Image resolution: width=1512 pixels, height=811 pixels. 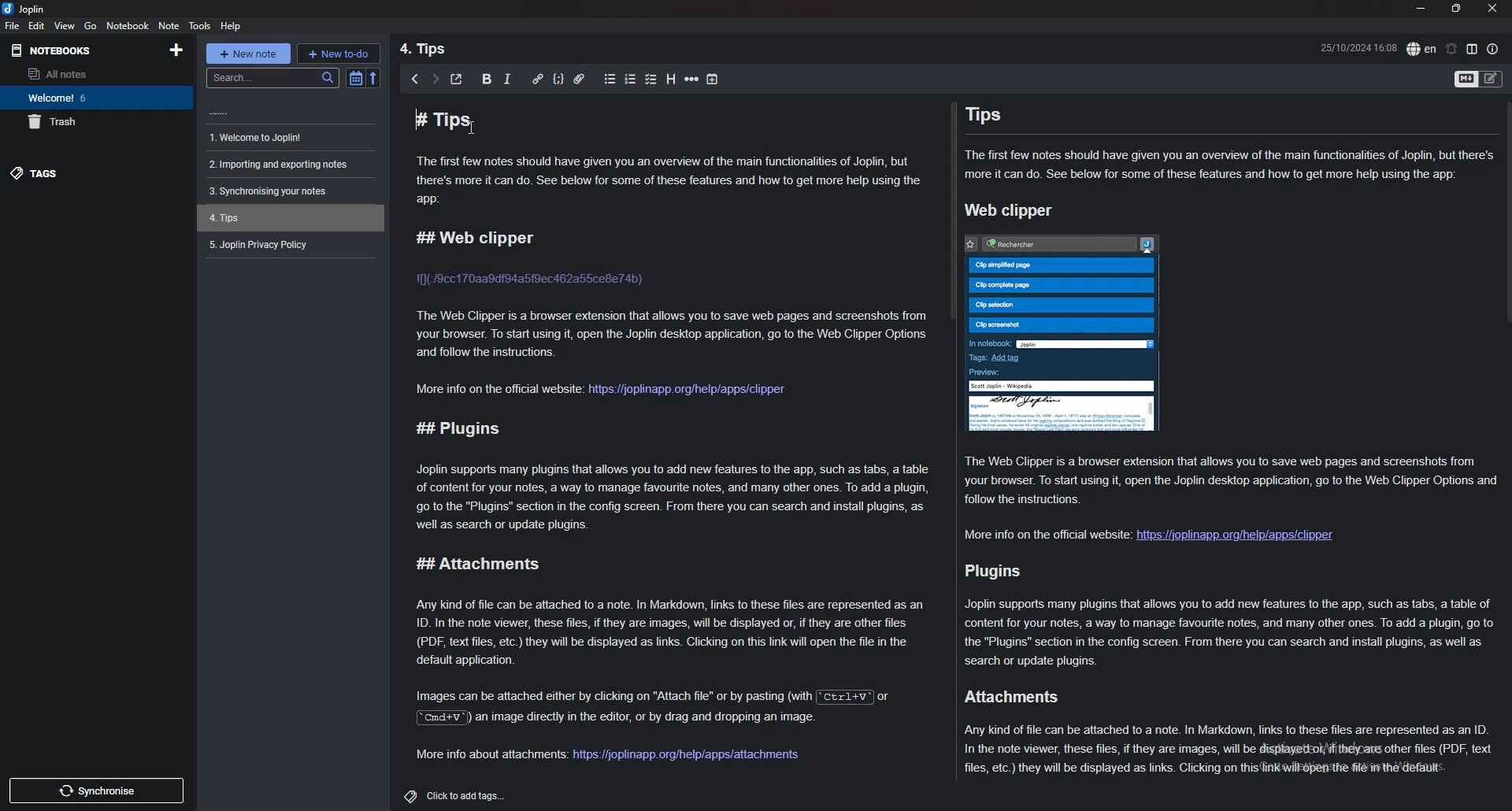 What do you see at coordinates (355, 78) in the screenshot?
I see `toggle sort order field` at bounding box center [355, 78].